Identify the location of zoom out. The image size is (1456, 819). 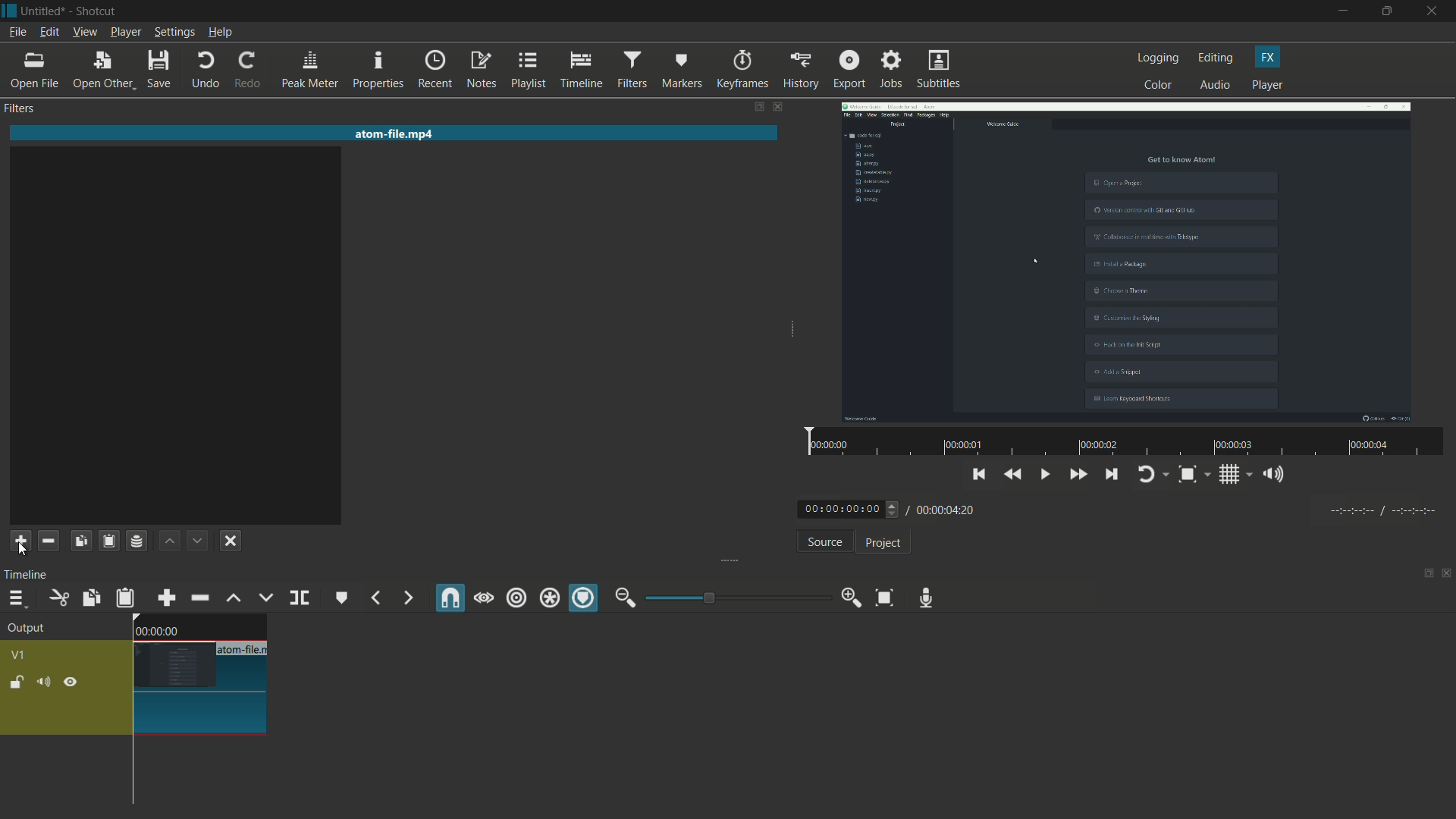
(625, 598).